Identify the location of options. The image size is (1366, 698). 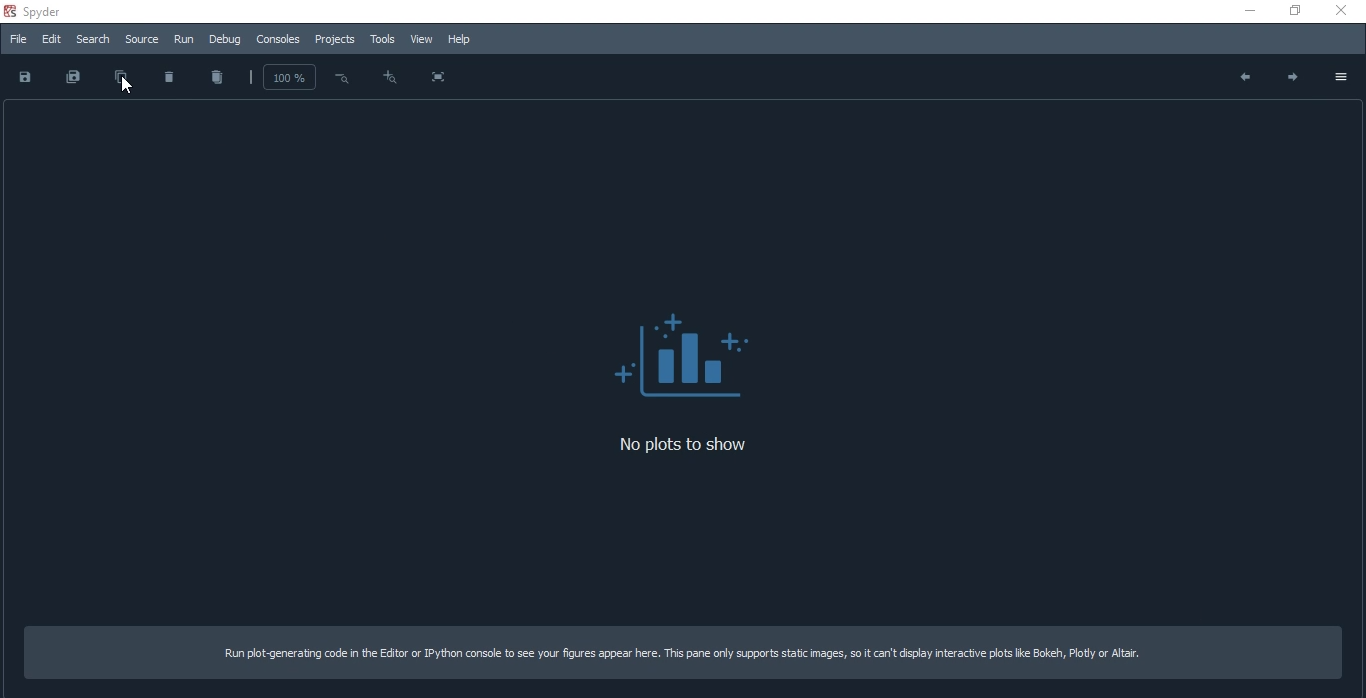
(1338, 76).